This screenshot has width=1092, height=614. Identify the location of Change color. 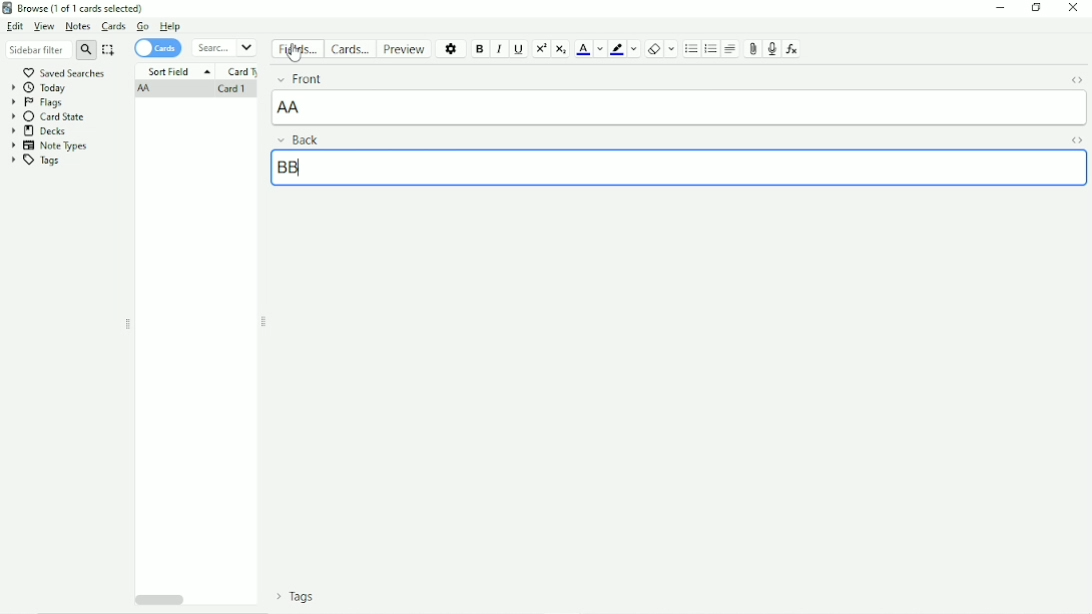
(634, 48).